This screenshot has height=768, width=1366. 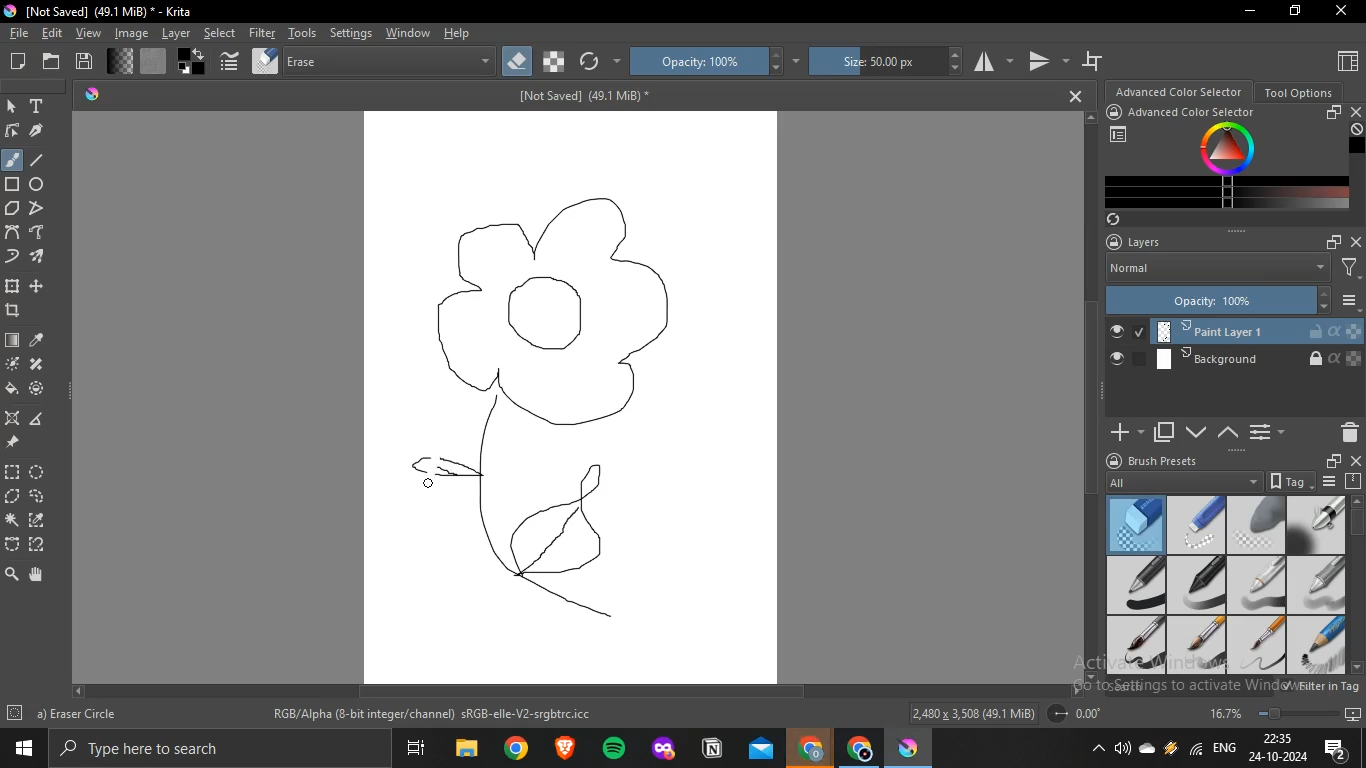 What do you see at coordinates (883, 63) in the screenshot?
I see `size` at bounding box center [883, 63].